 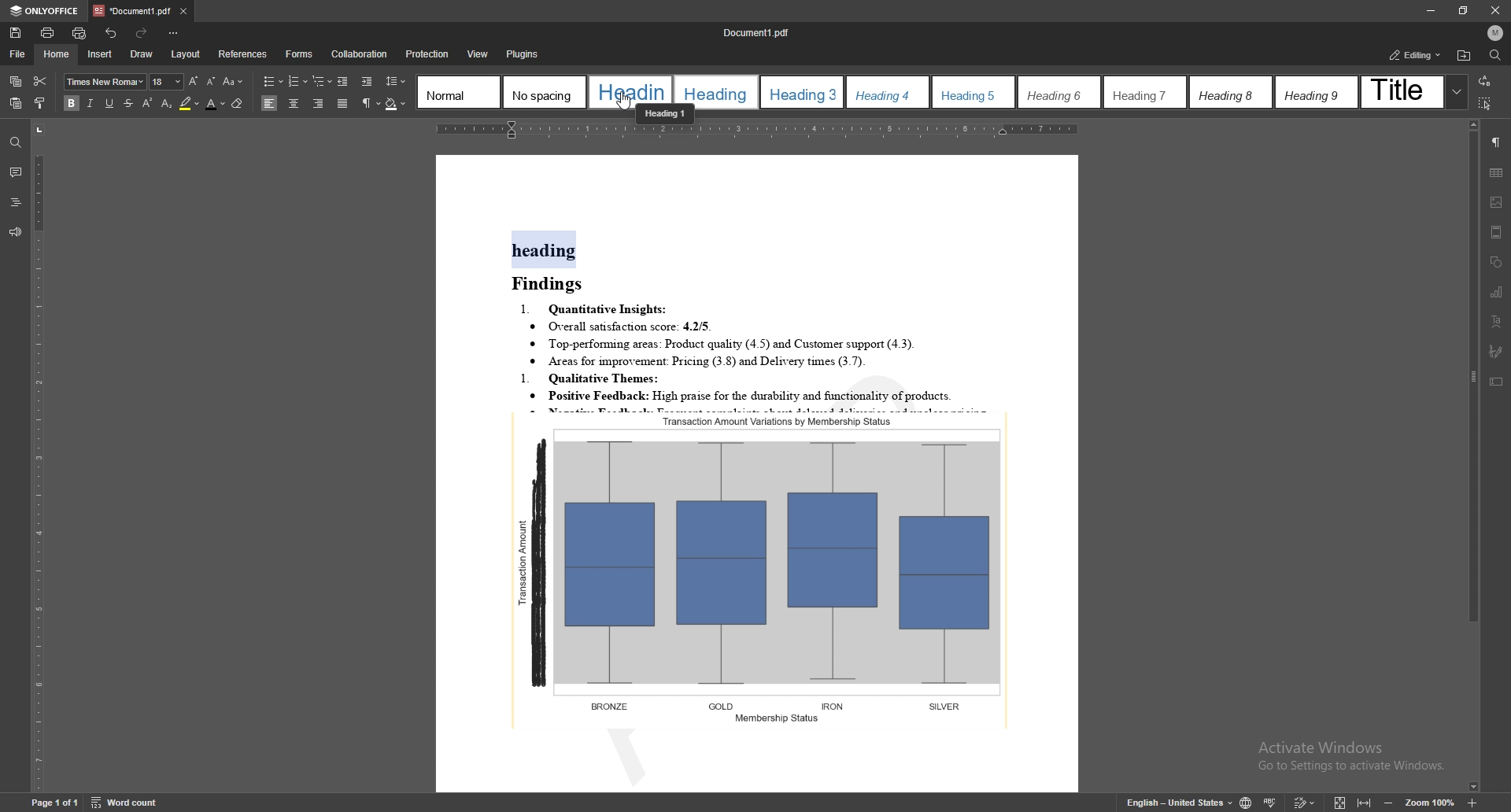 What do you see at coordinates (1498, 263) in the screenshot?
I see `shapes` at bounding box center [1498, 263].